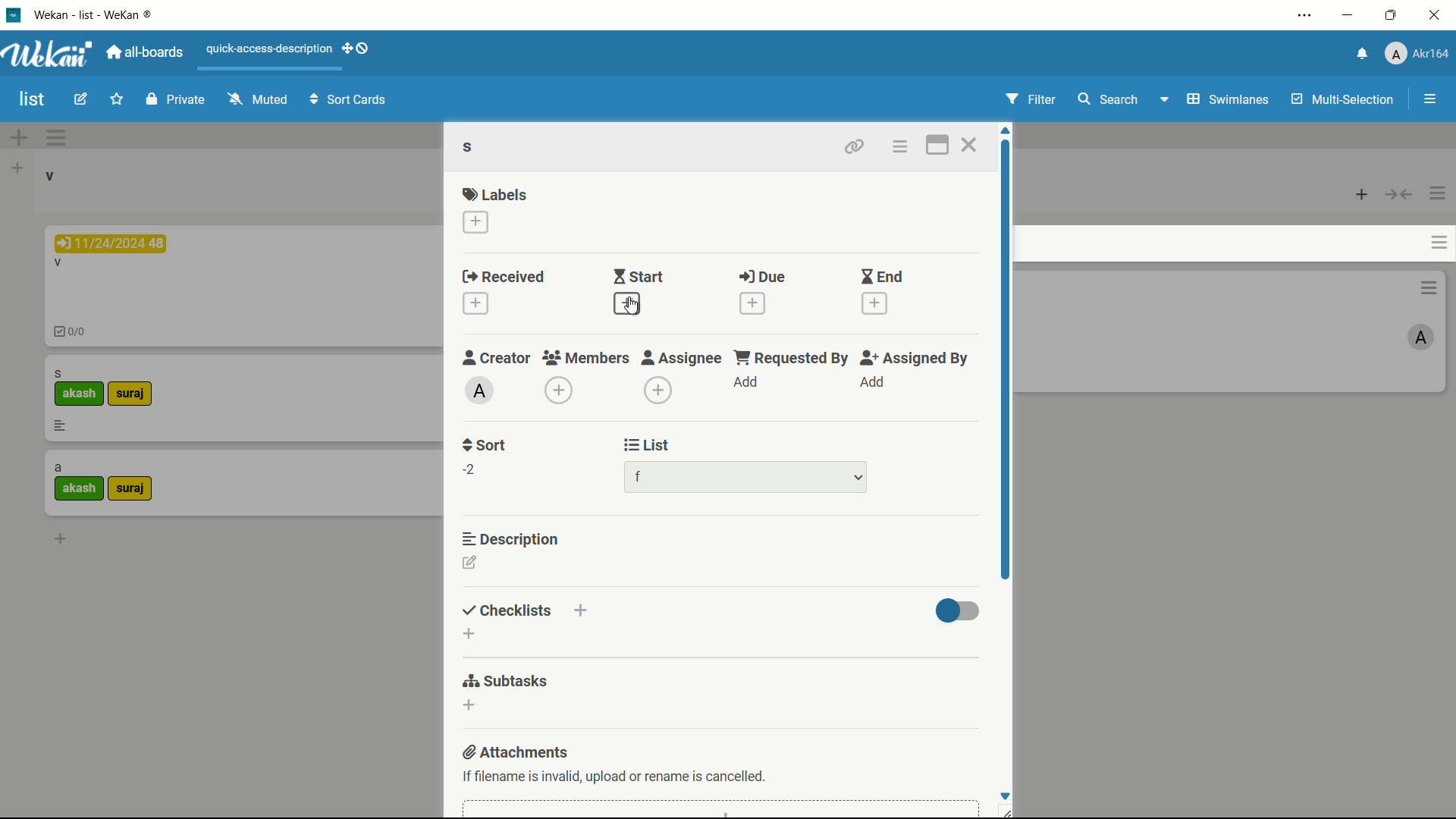  I want to click on add due date, so click(752, 303).